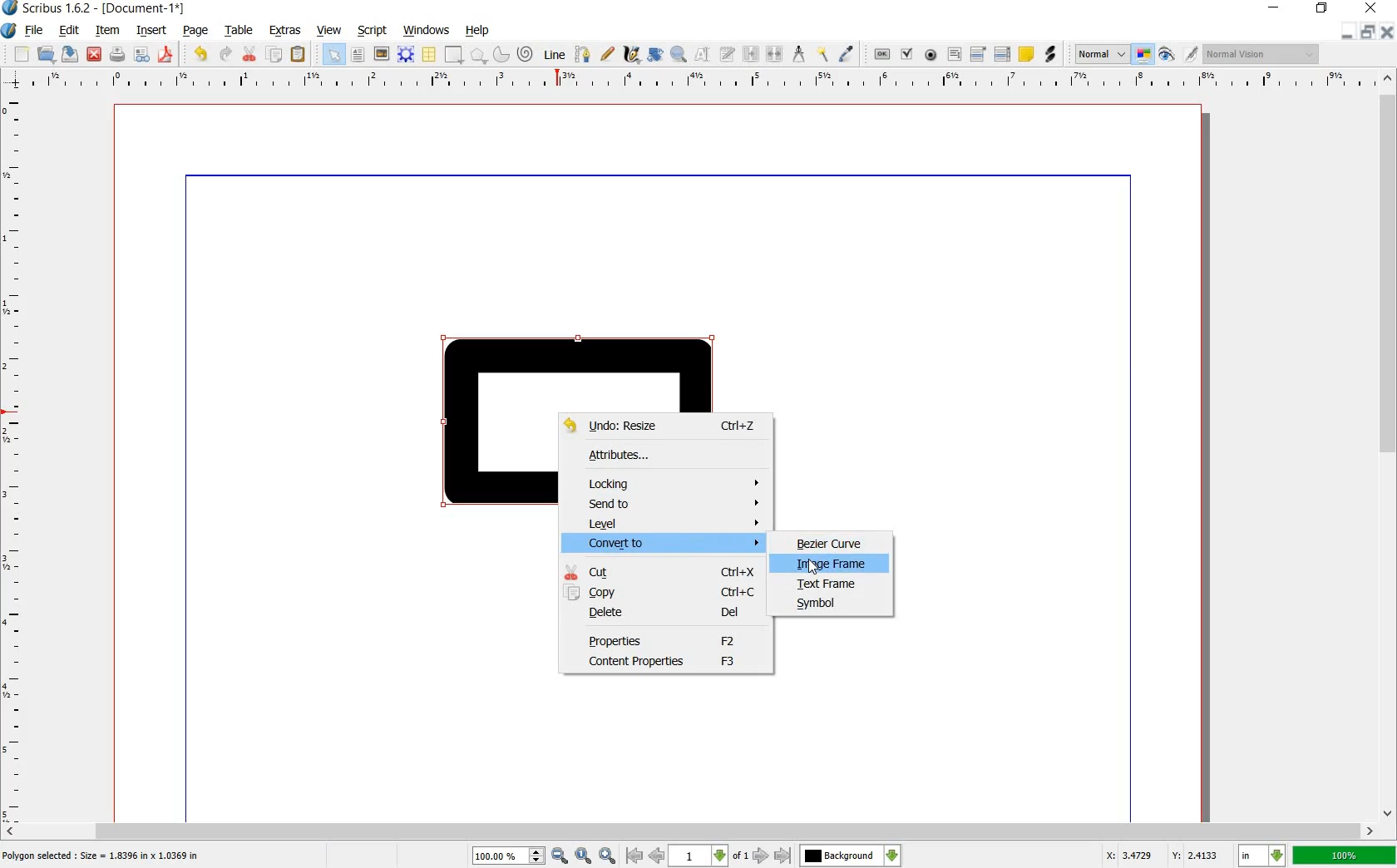 Image resolution: width=1397 pixels, height=868 pixels. Describe the element at coordinates (21, 54) in the screenshot. I see `new` at that location.